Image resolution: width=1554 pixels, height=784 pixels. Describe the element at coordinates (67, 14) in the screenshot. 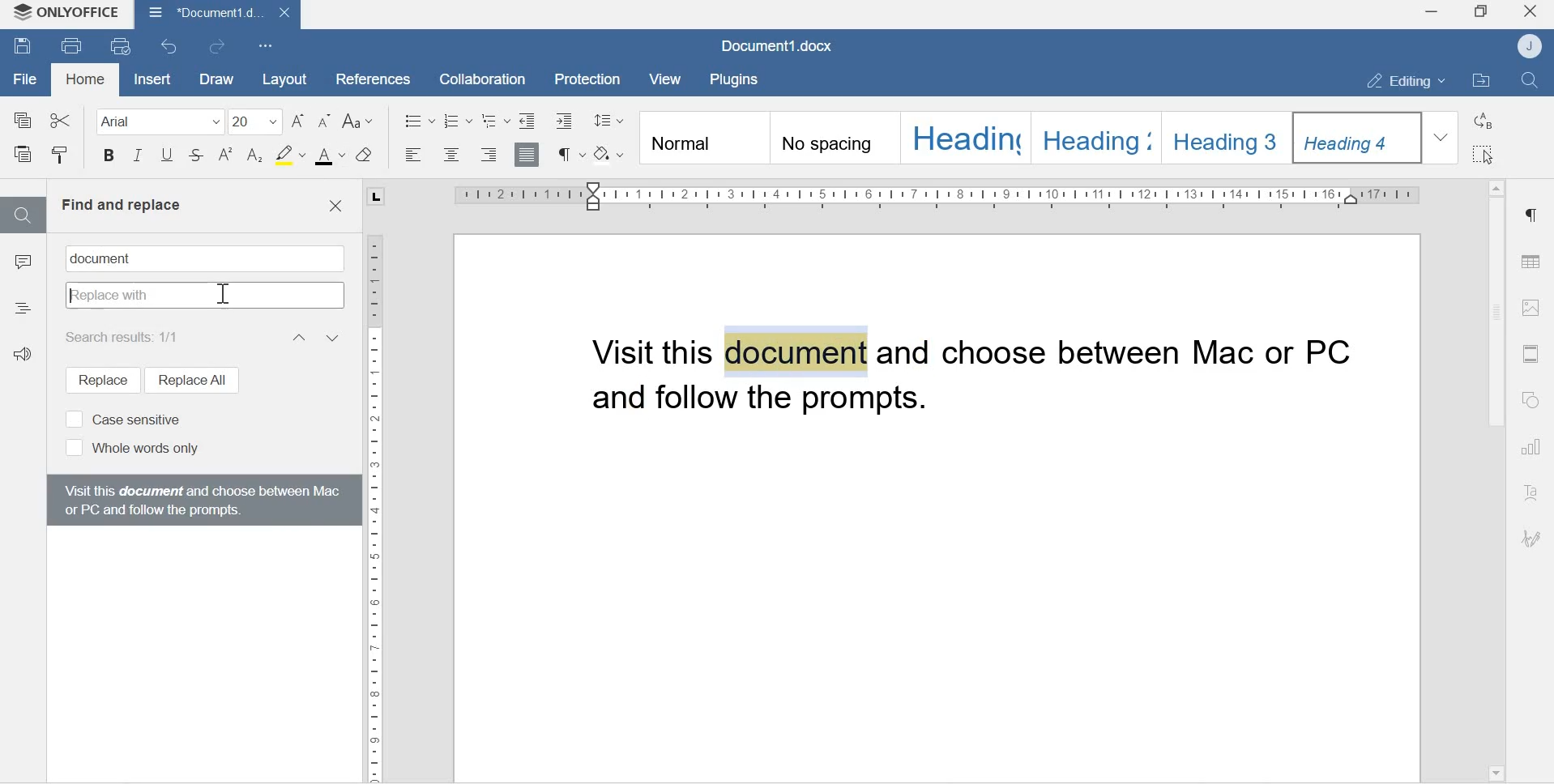

I see `Onlyoffice` at that location.